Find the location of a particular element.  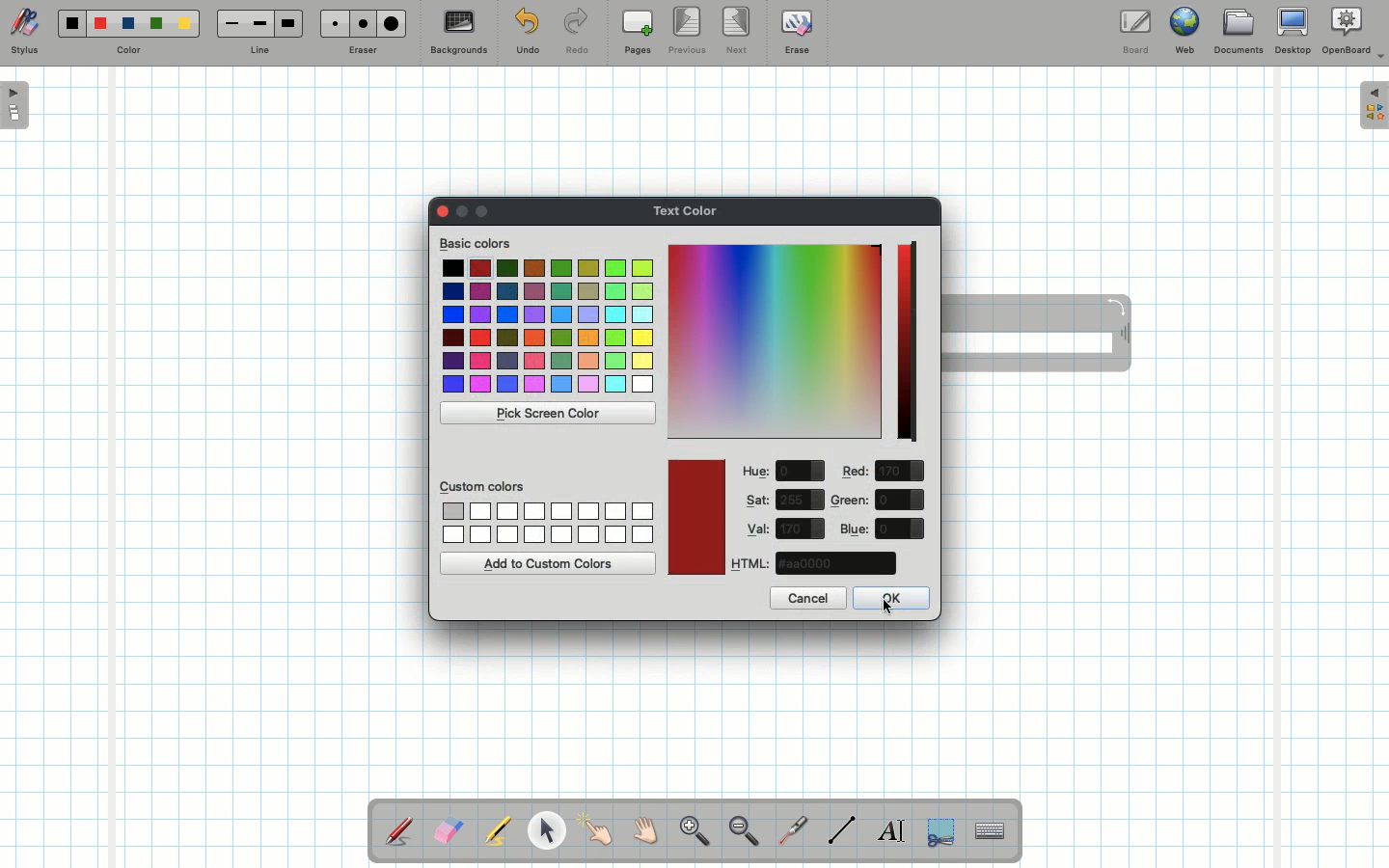

Blue is located at coordinates (855, 529).